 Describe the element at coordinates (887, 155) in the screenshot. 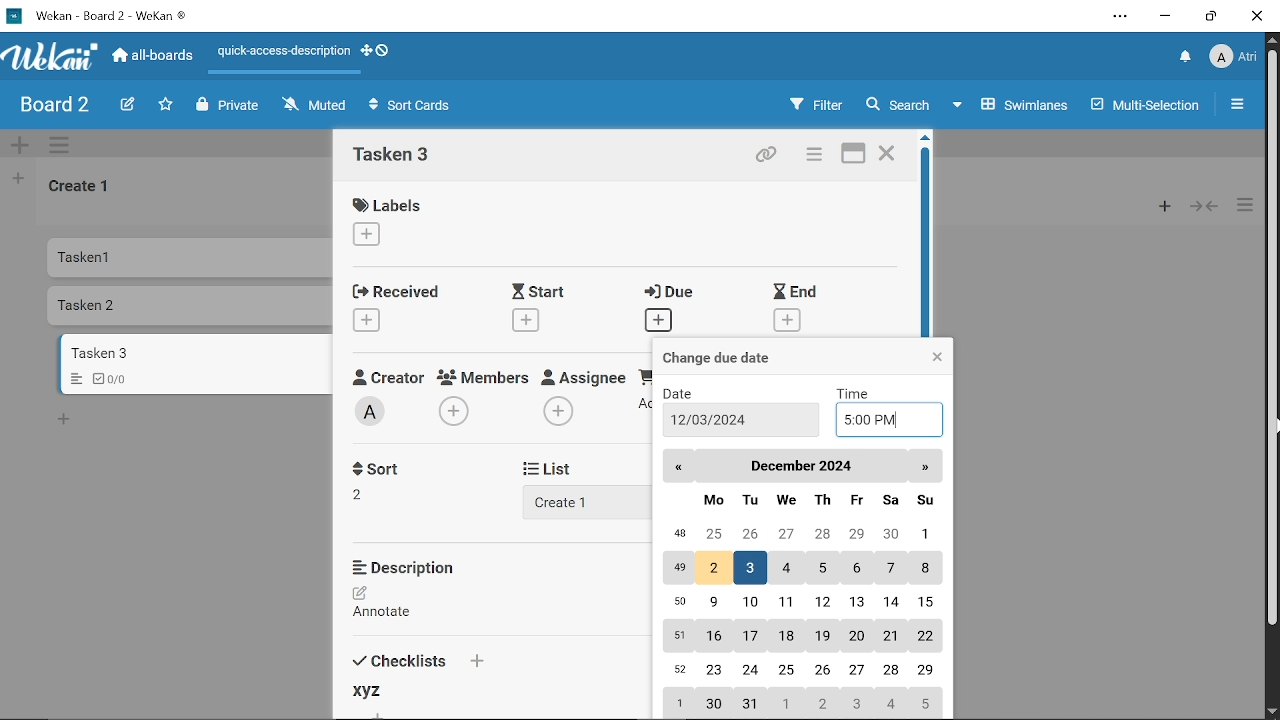

I see `Close ` at that location.